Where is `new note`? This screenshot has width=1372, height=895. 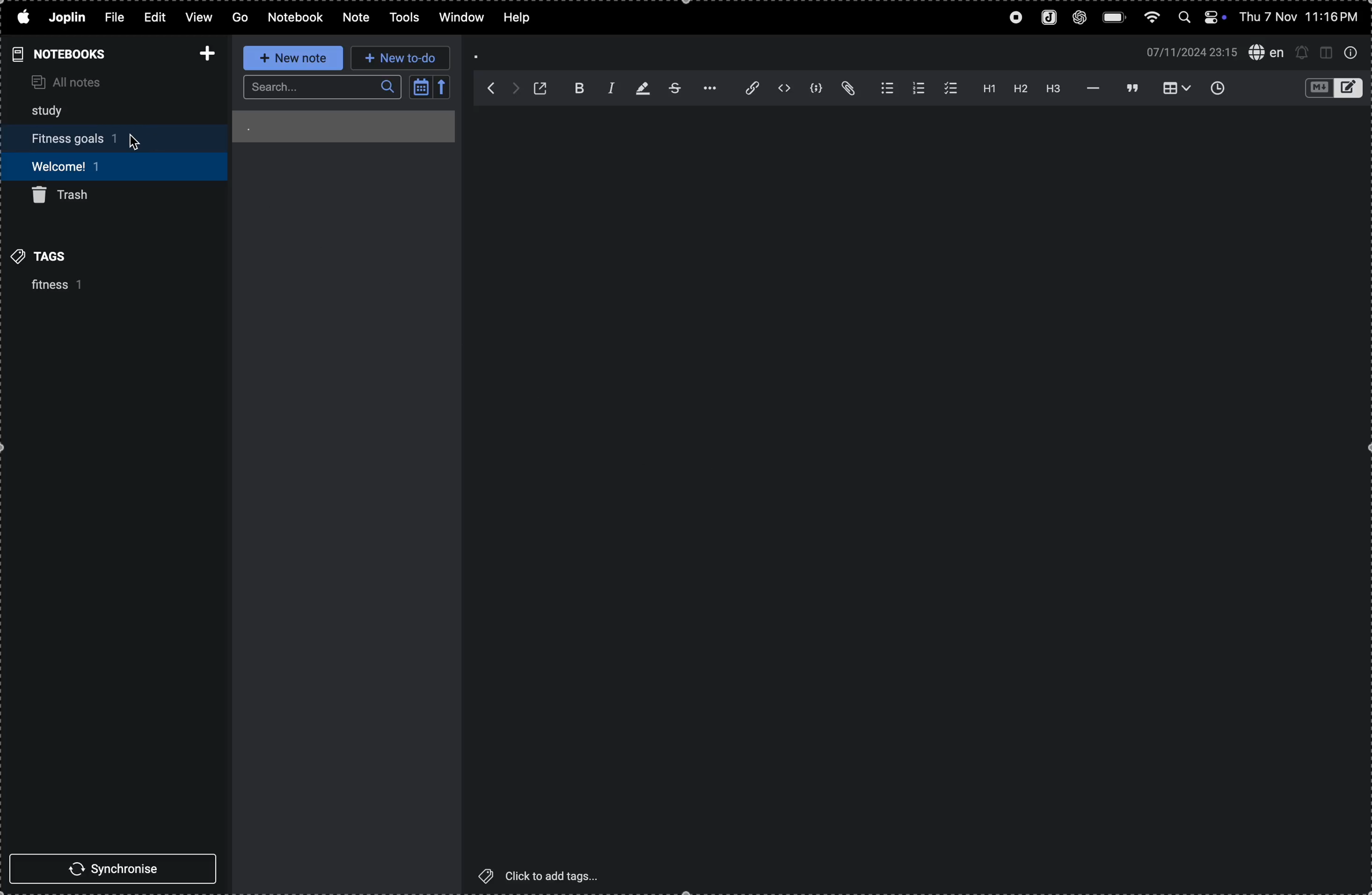
new note is located at coordinates (292, 57).